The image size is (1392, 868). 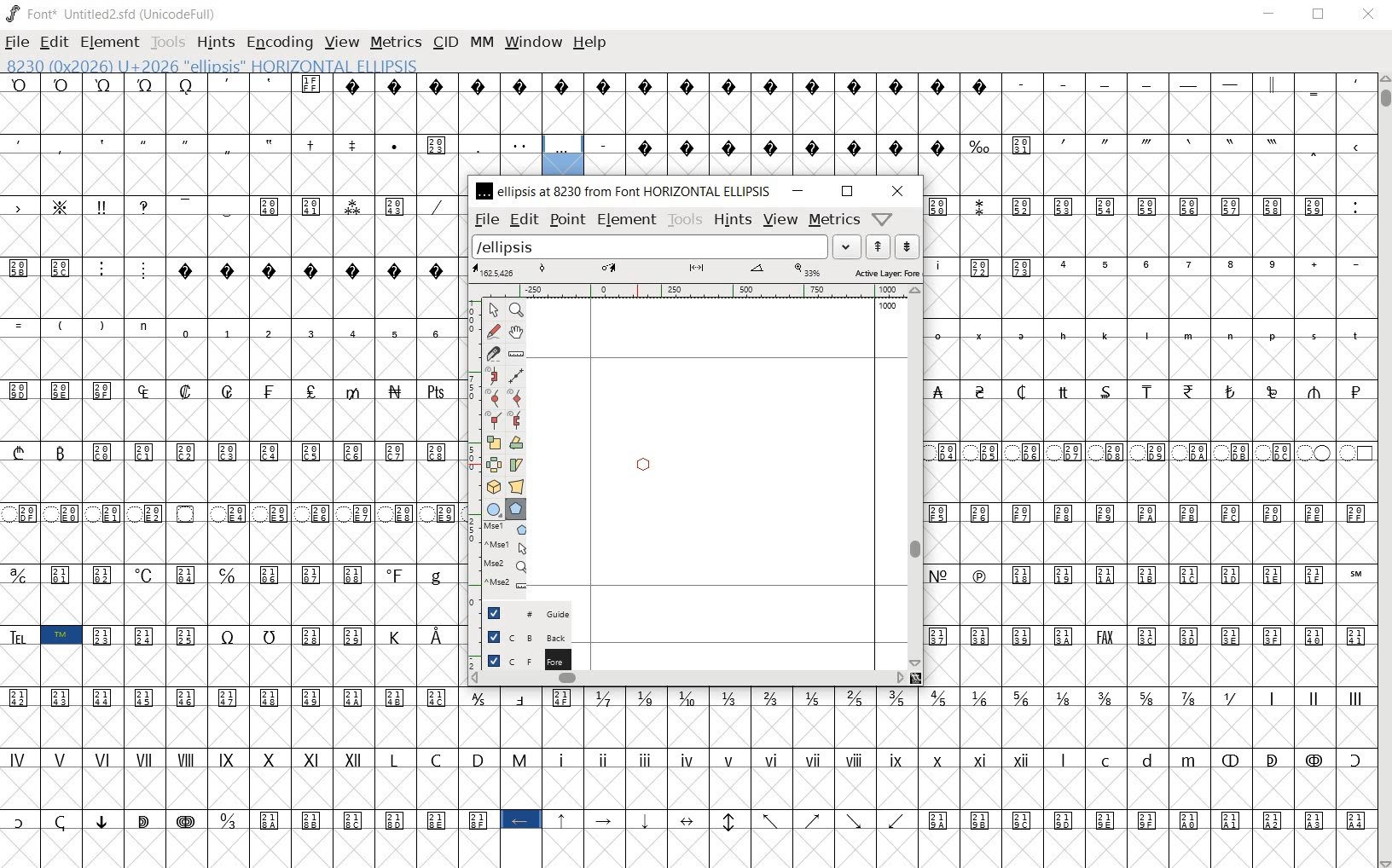 I want to click on METRICS, so click(x=396, y=42).